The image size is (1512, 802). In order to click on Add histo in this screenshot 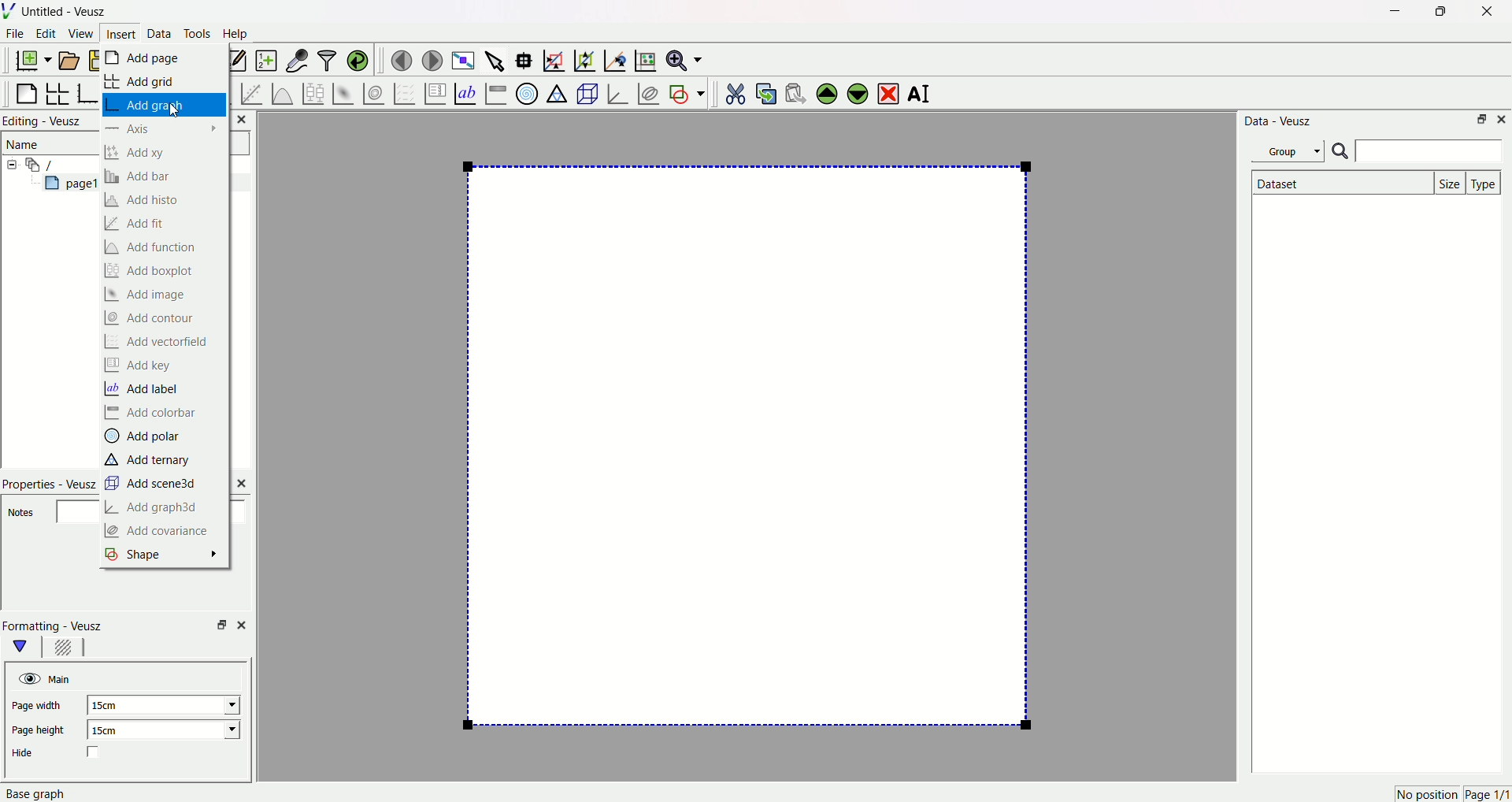, I will do `click(155, 198)`.